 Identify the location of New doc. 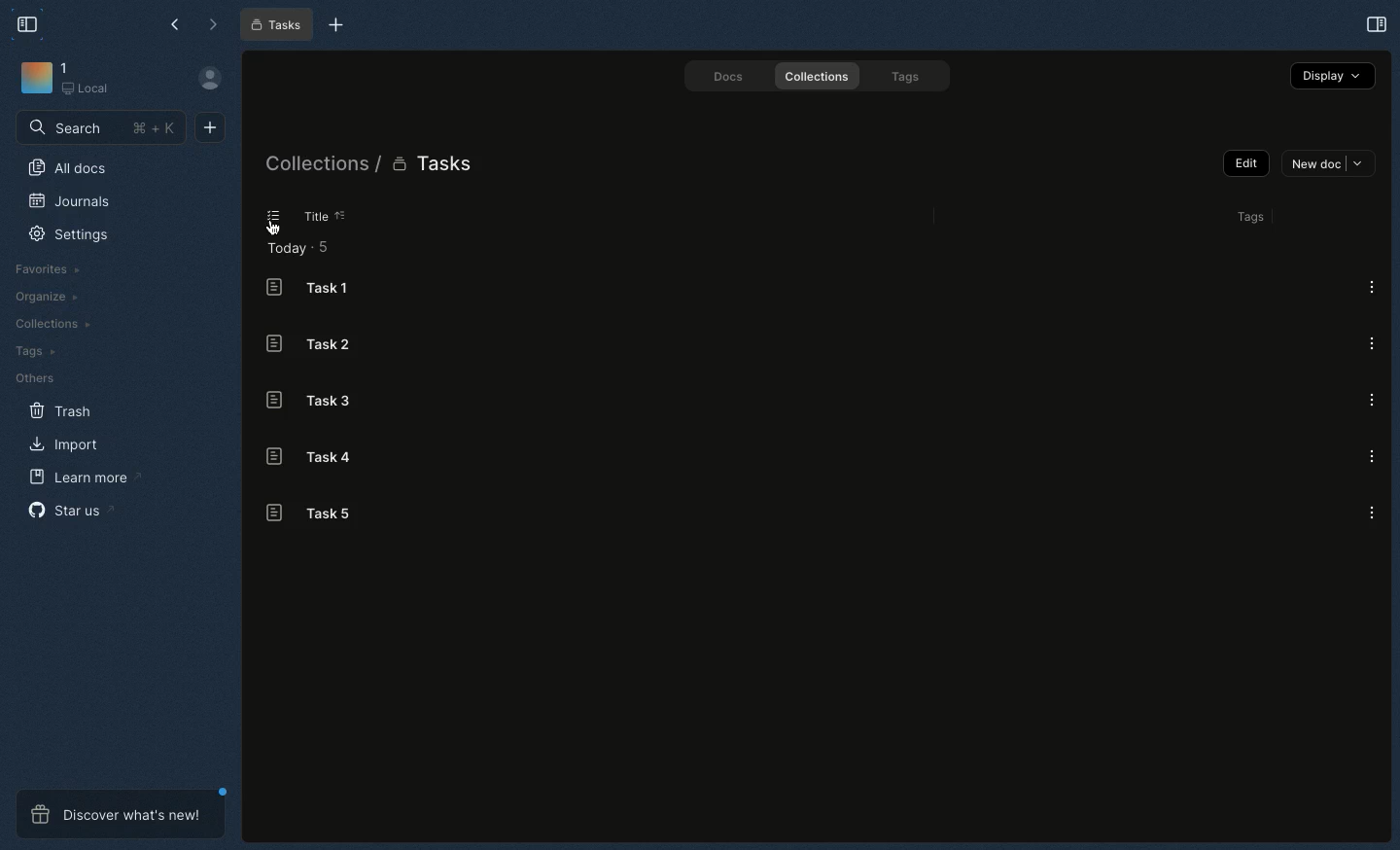
(1327, 163).